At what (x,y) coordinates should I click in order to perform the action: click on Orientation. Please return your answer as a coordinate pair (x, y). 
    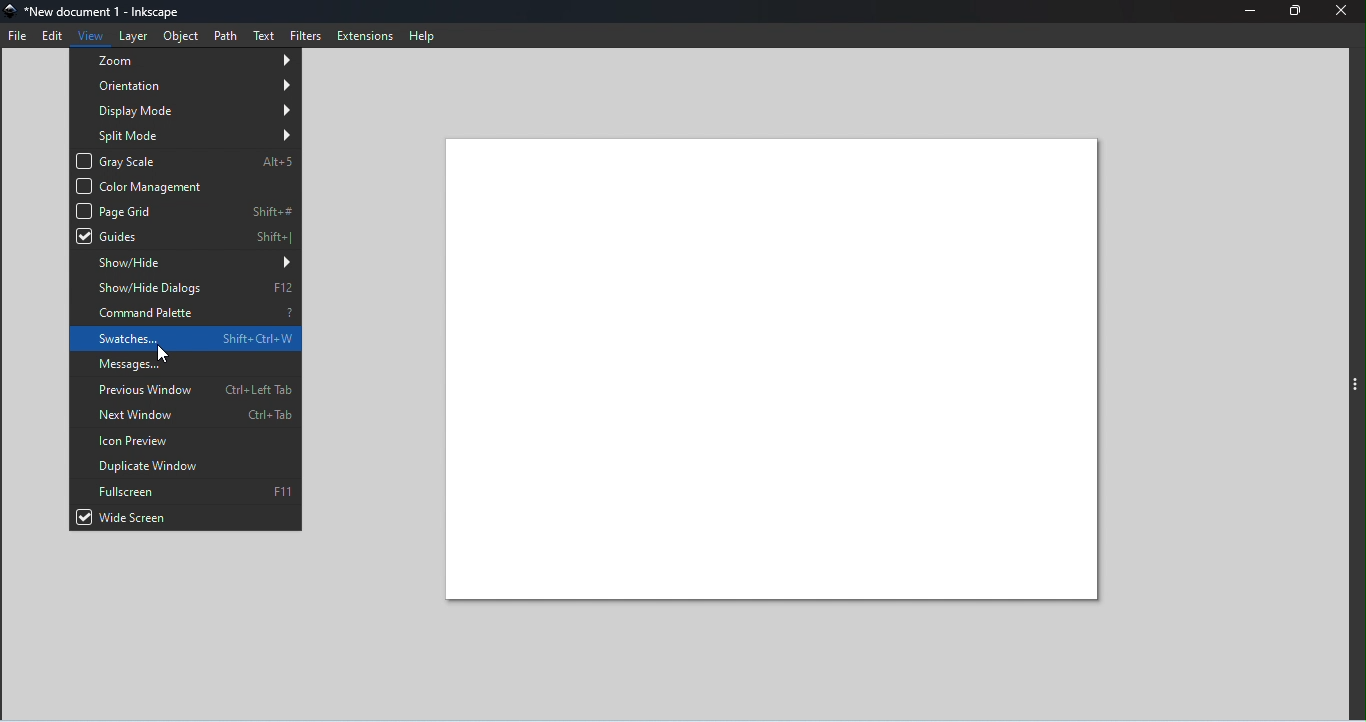
    Looking at the image, I should click on (184, 82).